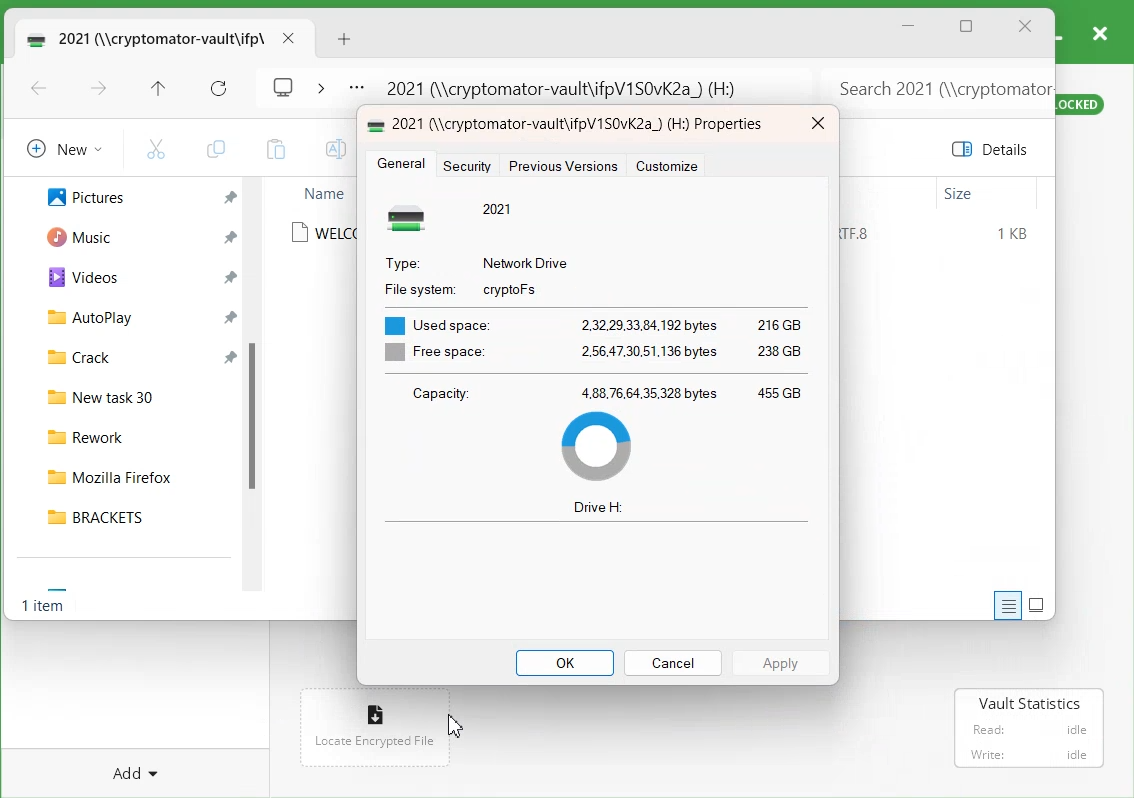  Describe the element at coordinates (470, 165) in the screenshot. I see `Security` at that location.